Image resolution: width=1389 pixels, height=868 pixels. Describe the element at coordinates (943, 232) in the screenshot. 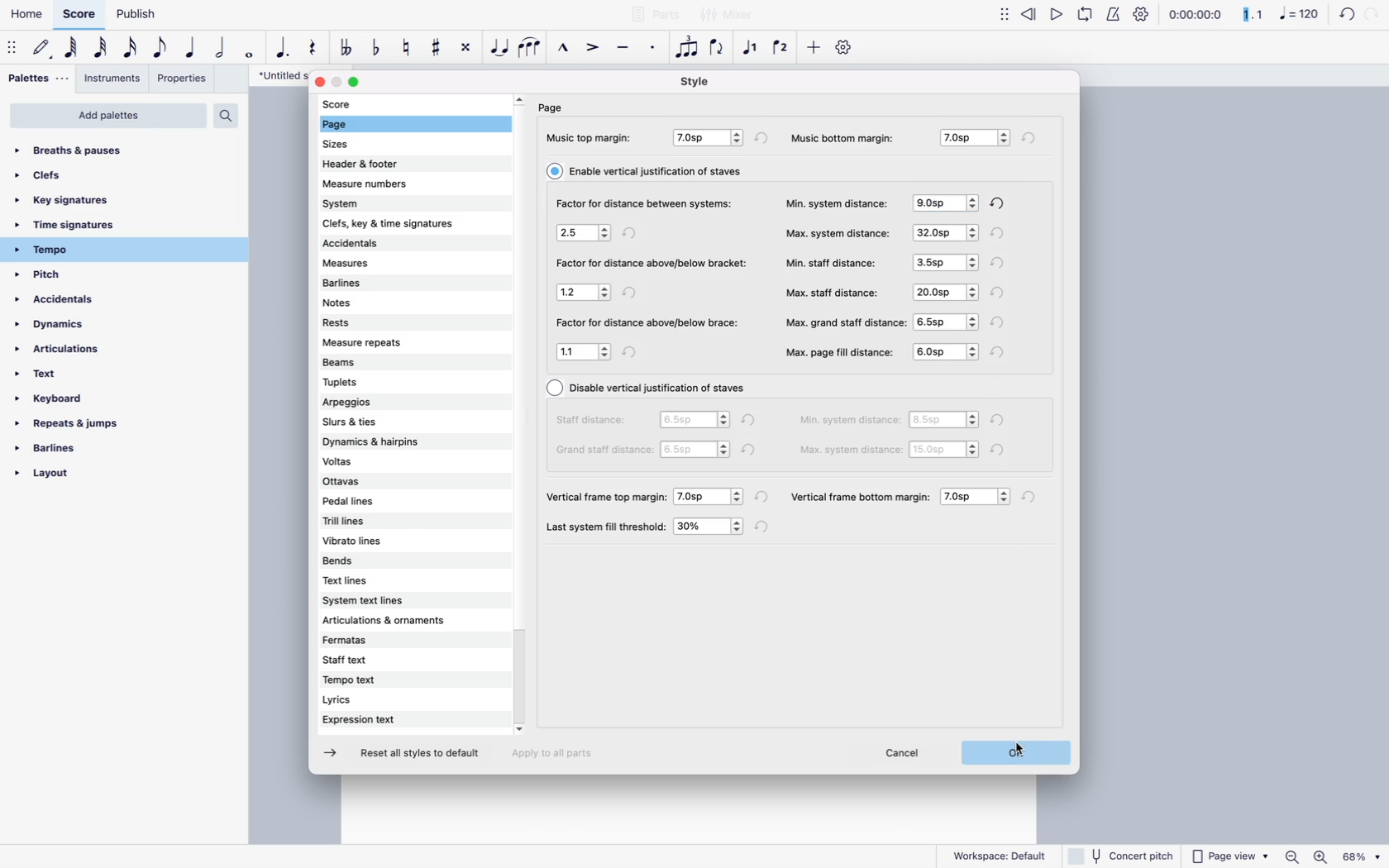

I see `options` at that location.